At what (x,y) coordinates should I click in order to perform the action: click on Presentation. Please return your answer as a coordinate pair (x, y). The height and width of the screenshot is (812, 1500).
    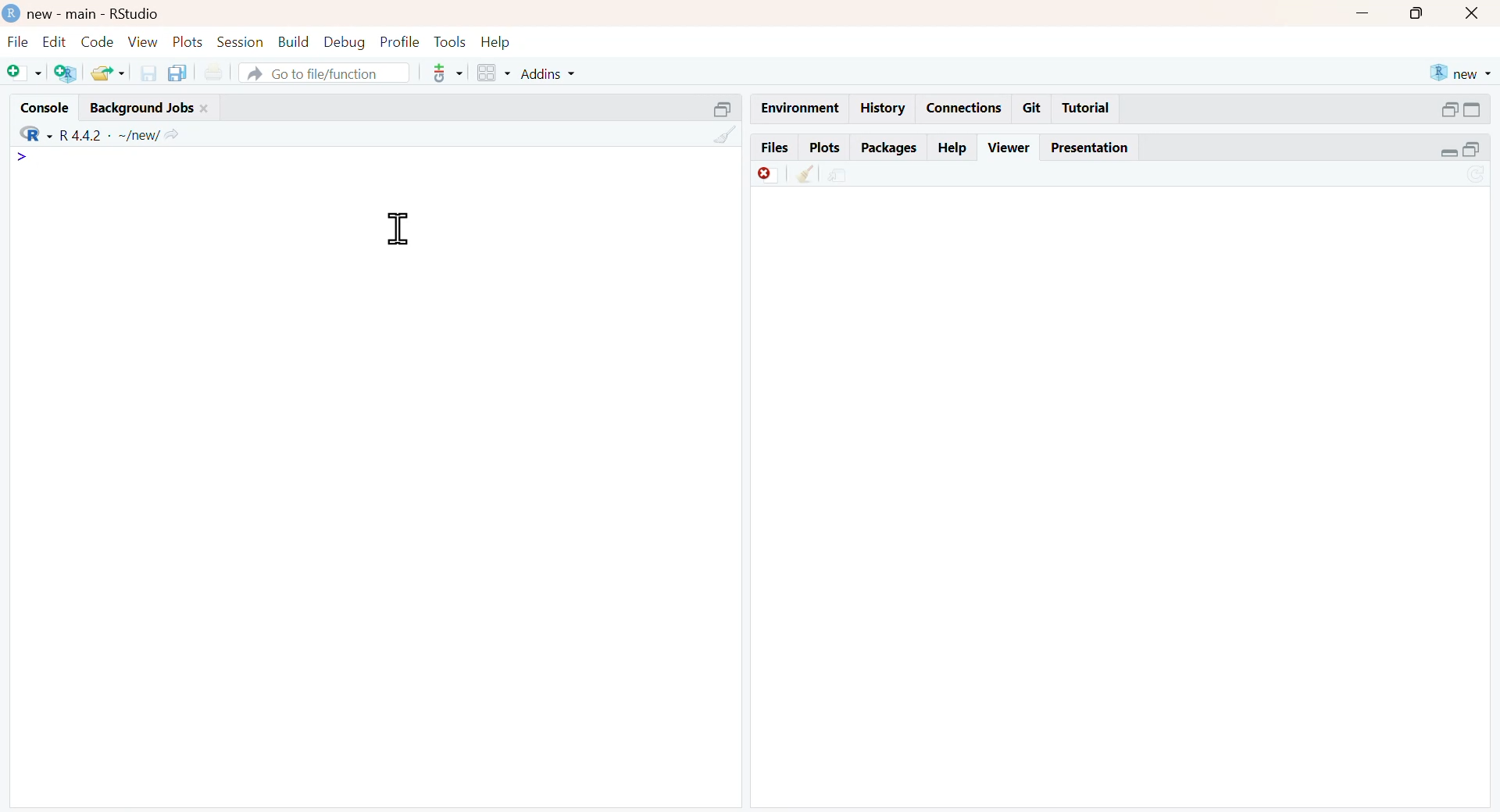
    Looking at the image, I should click on (1096, 148).